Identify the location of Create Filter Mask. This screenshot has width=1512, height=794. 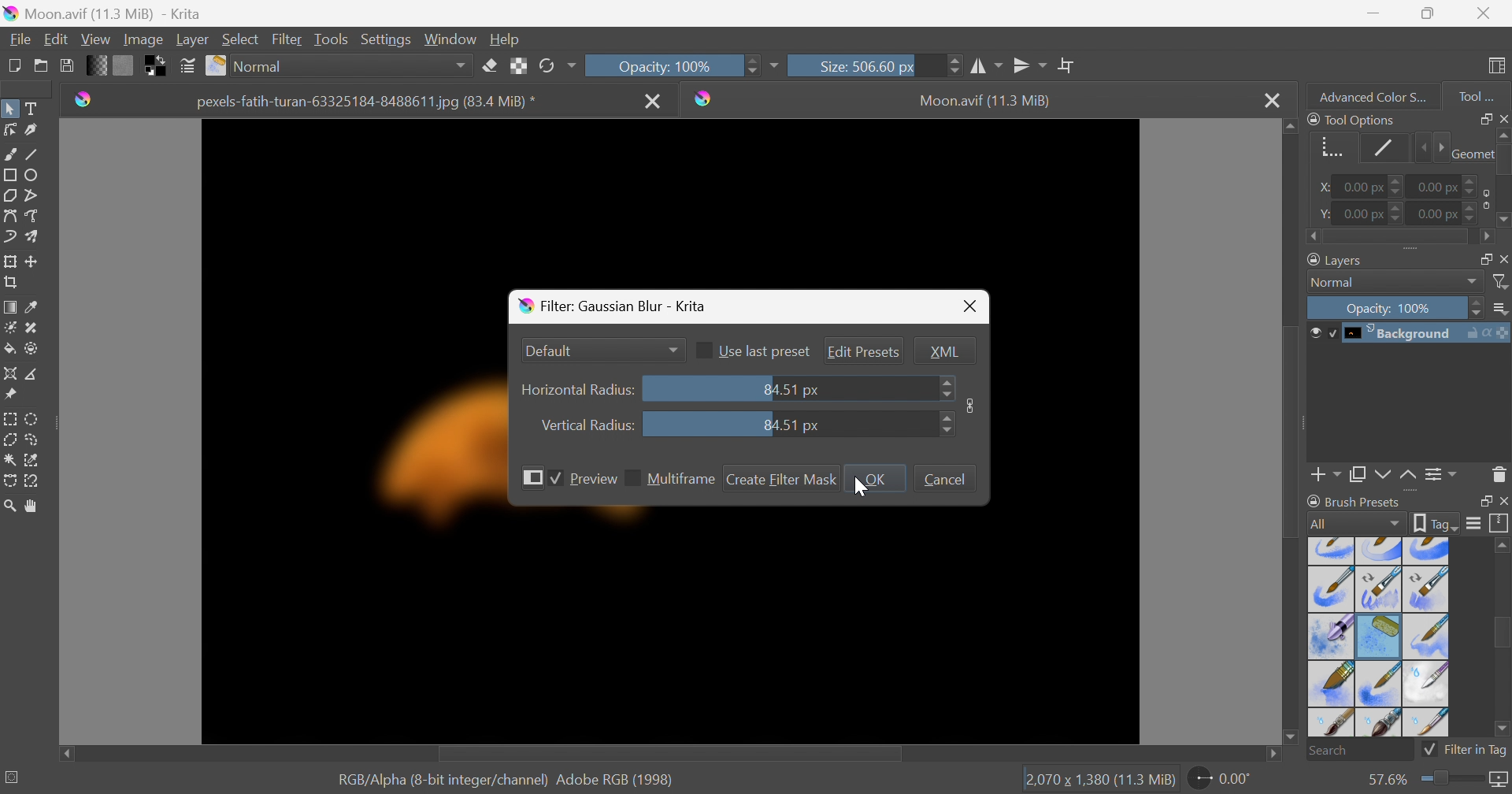
(782, 479).